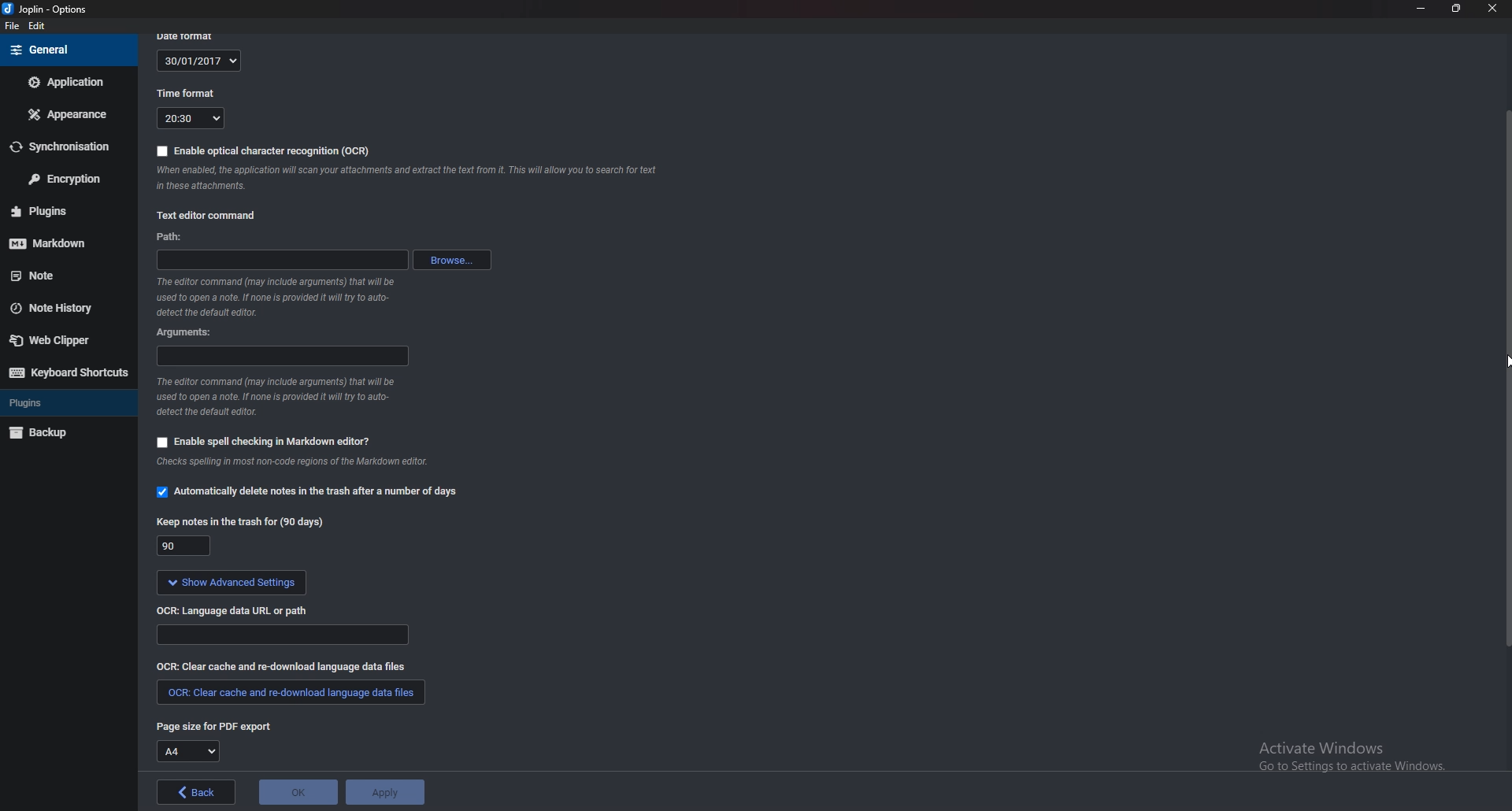 The width and height of the screenshot is (1512, 811). What do you see at coordinates (292, 462) in the screenshot?
I see `Info on spell check` at bounding box center [292, 462].